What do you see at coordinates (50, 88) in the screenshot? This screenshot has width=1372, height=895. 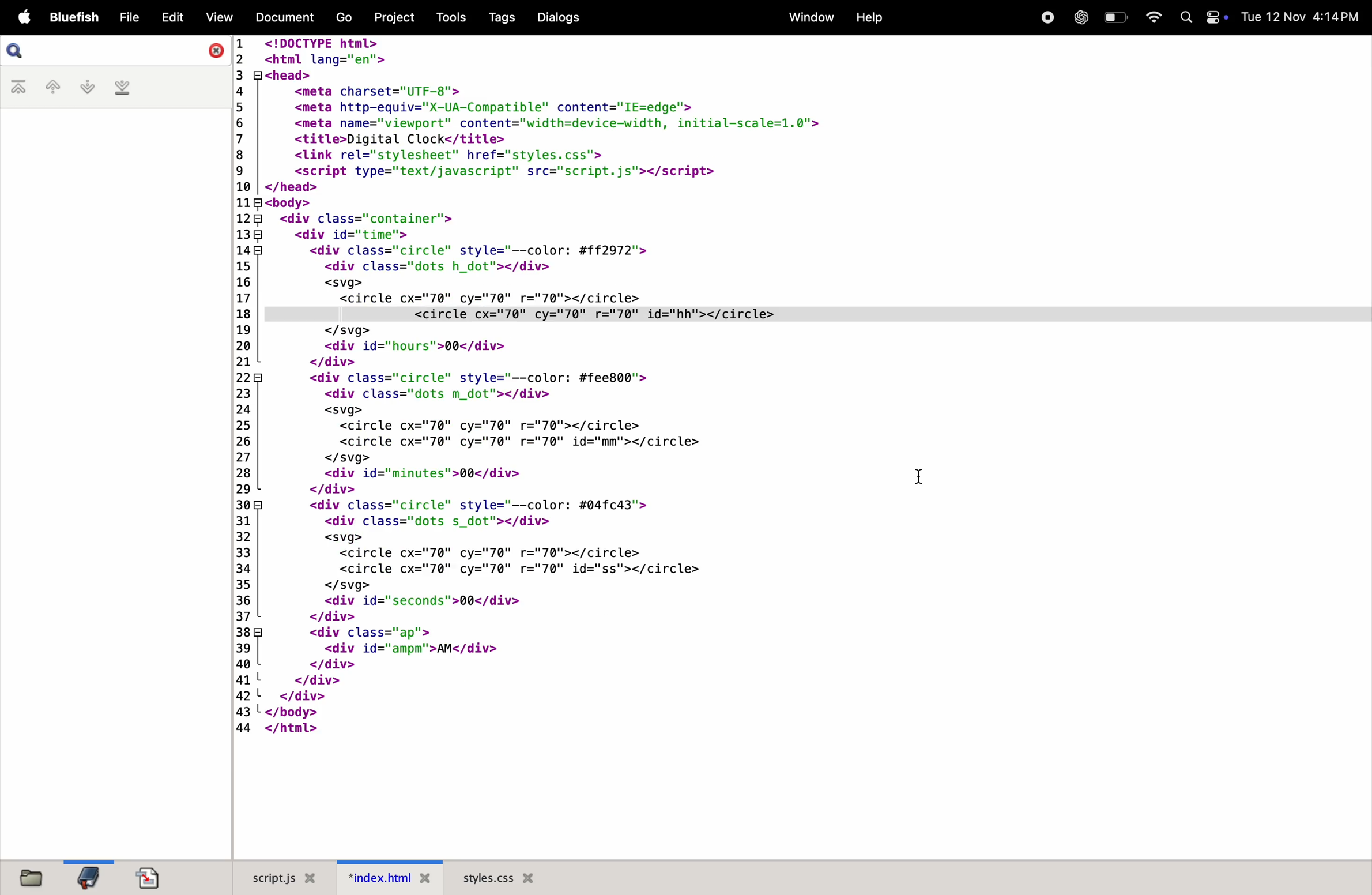 I see `previous bookmark` at bounding box center [50, 88].